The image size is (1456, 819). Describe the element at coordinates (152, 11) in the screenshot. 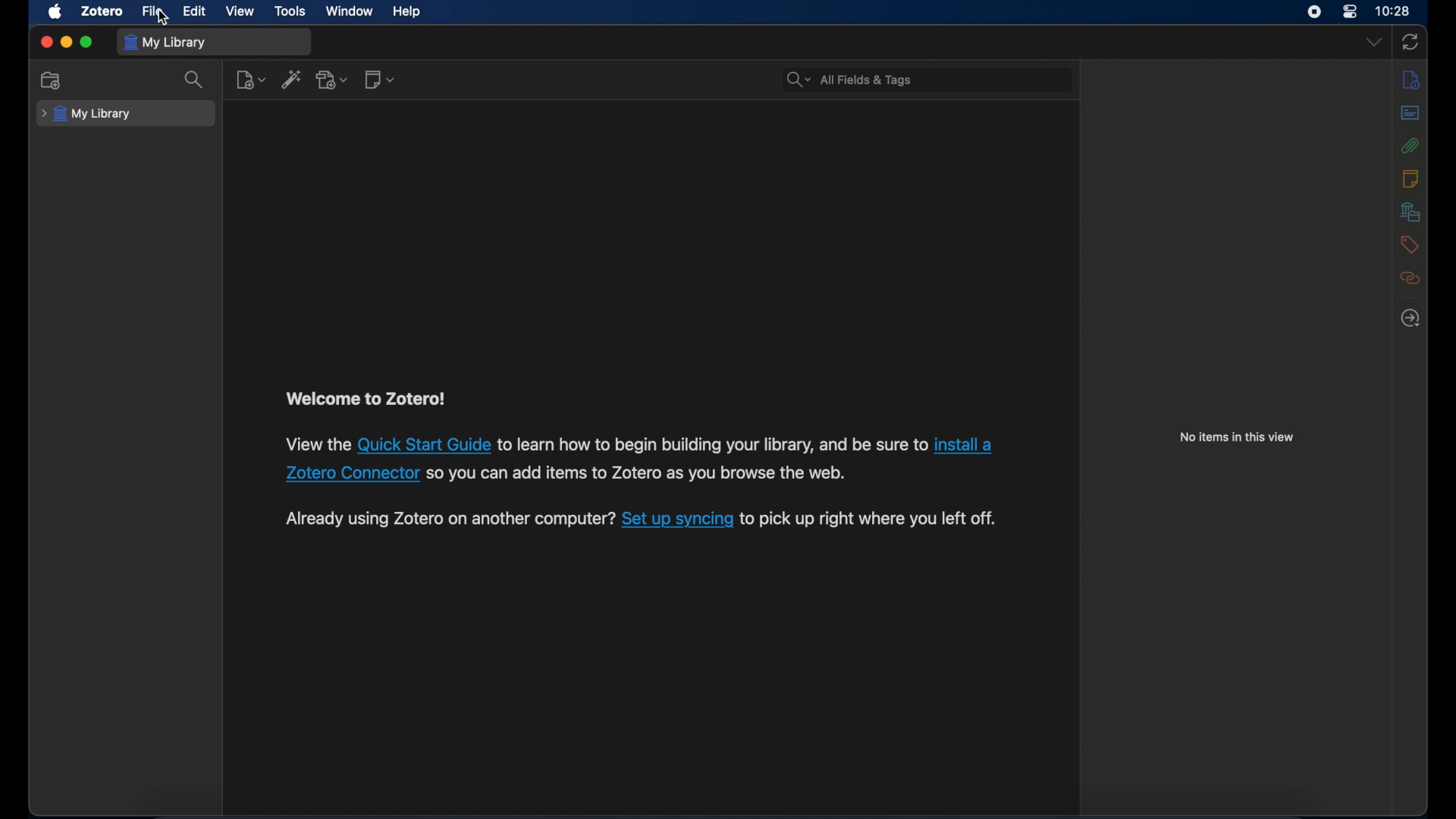

I see `file` at that location.